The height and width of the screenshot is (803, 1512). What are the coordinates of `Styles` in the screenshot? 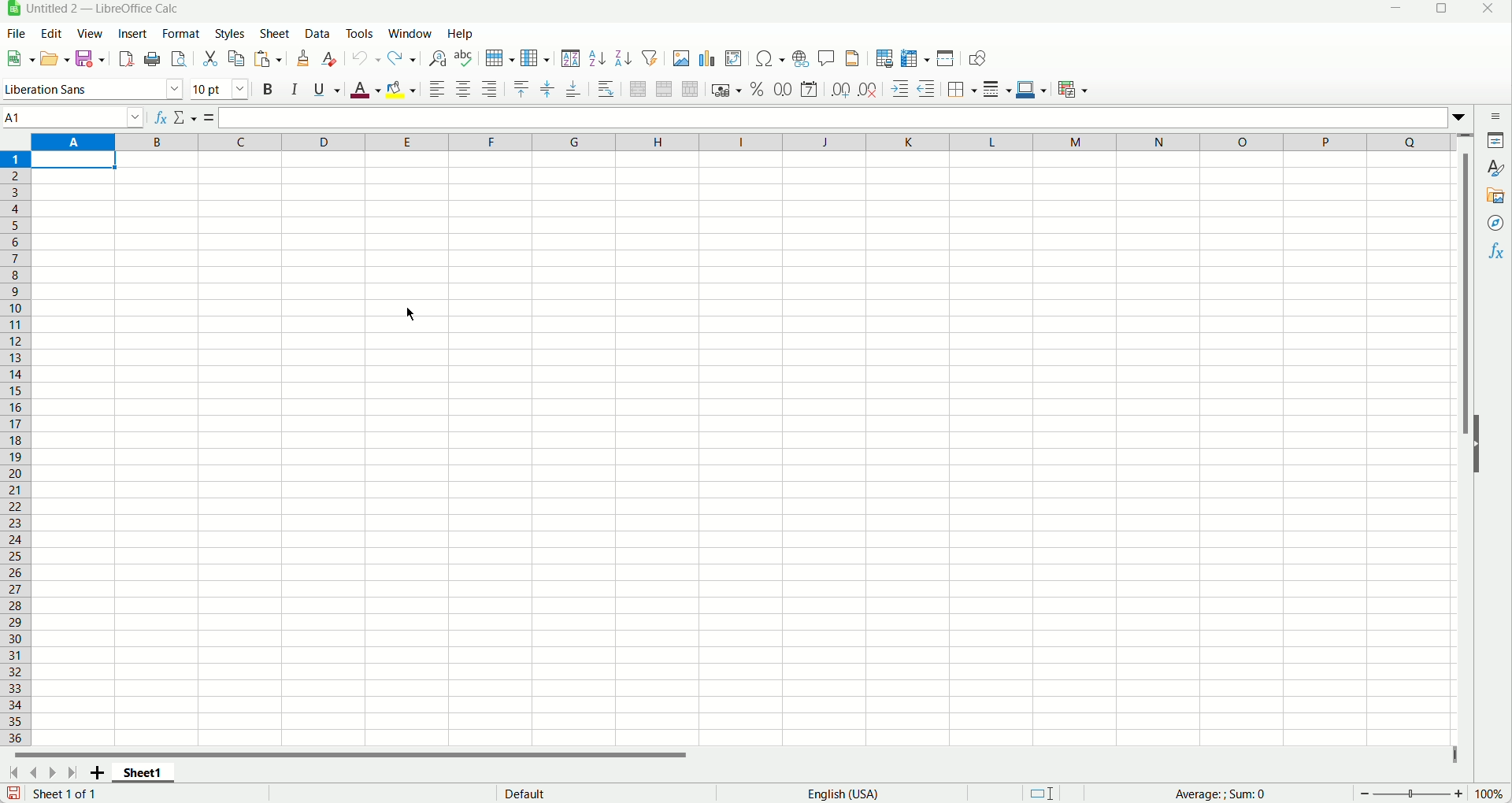 It's located at (234, 32).